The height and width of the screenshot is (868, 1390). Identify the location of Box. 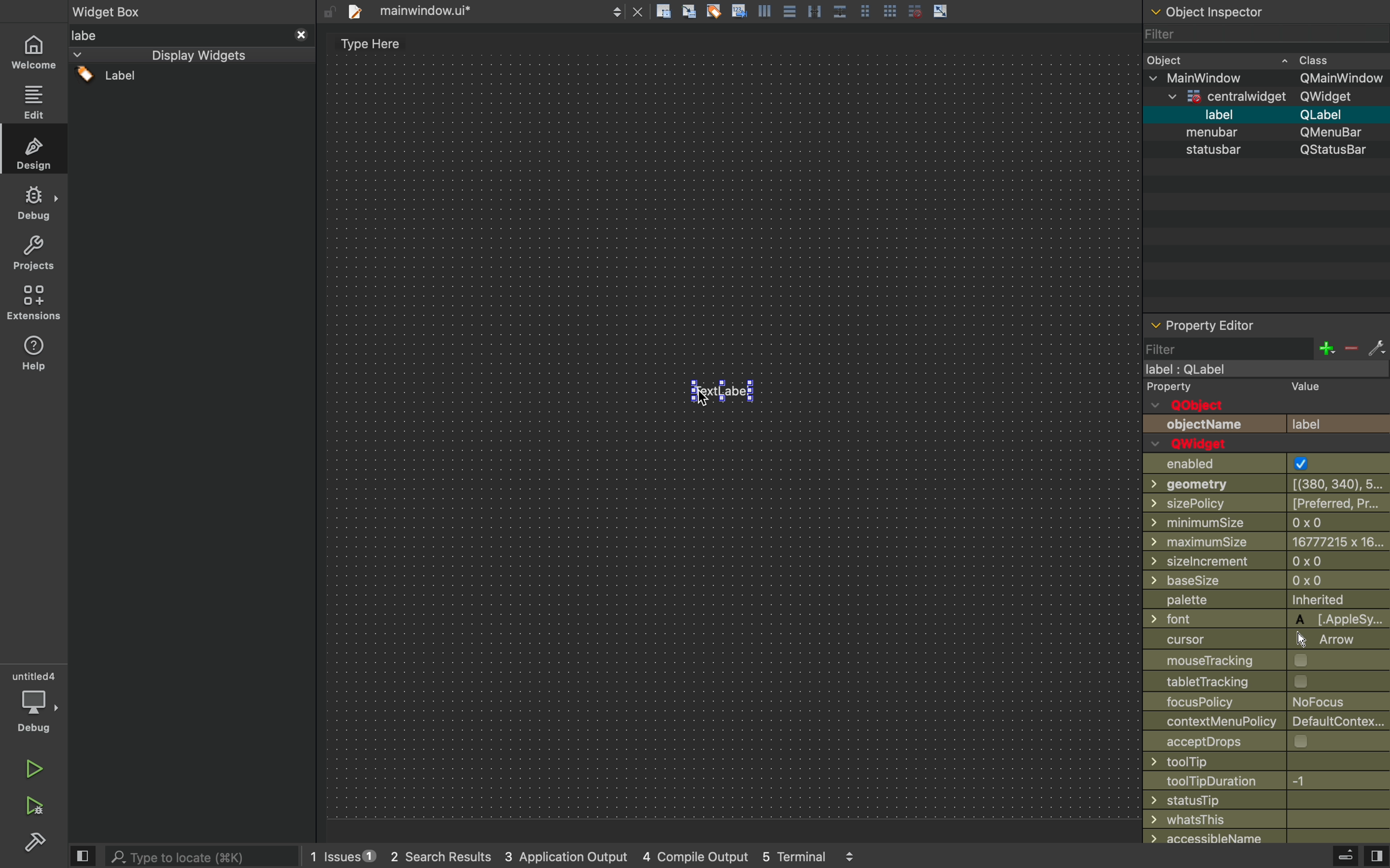
(841, 9).